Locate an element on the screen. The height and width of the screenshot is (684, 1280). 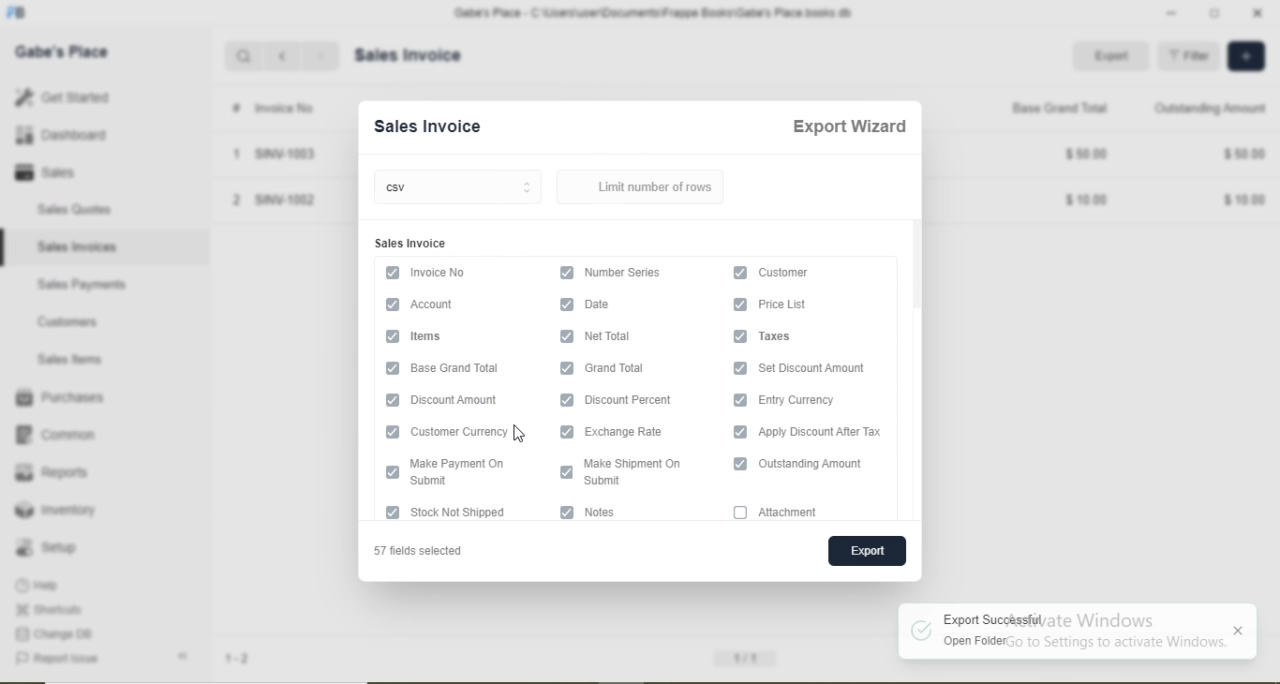
checkbox is located at coordinates (568, 512).